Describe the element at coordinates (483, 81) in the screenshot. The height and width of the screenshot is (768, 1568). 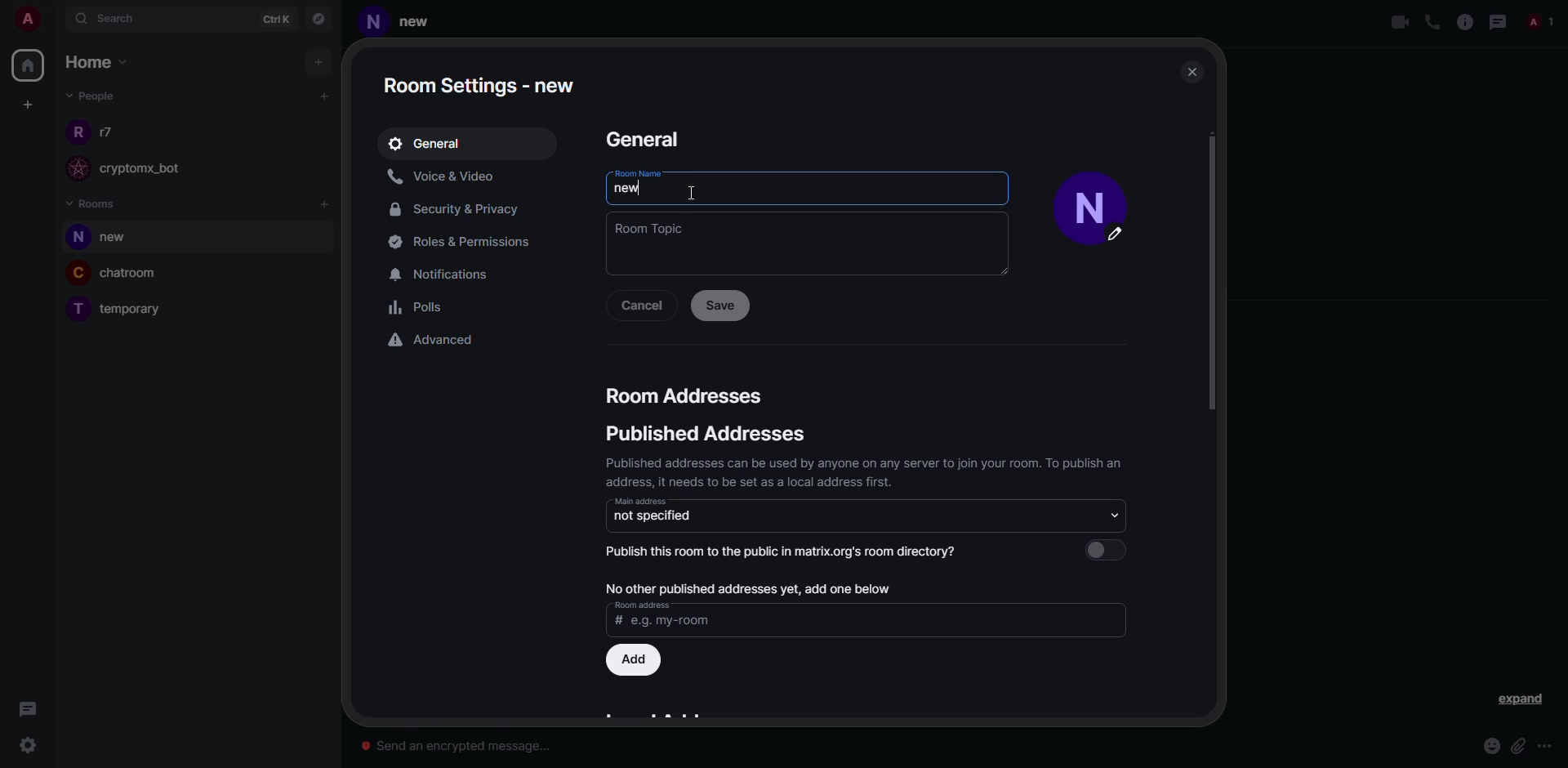
I see `room settings` at that location.